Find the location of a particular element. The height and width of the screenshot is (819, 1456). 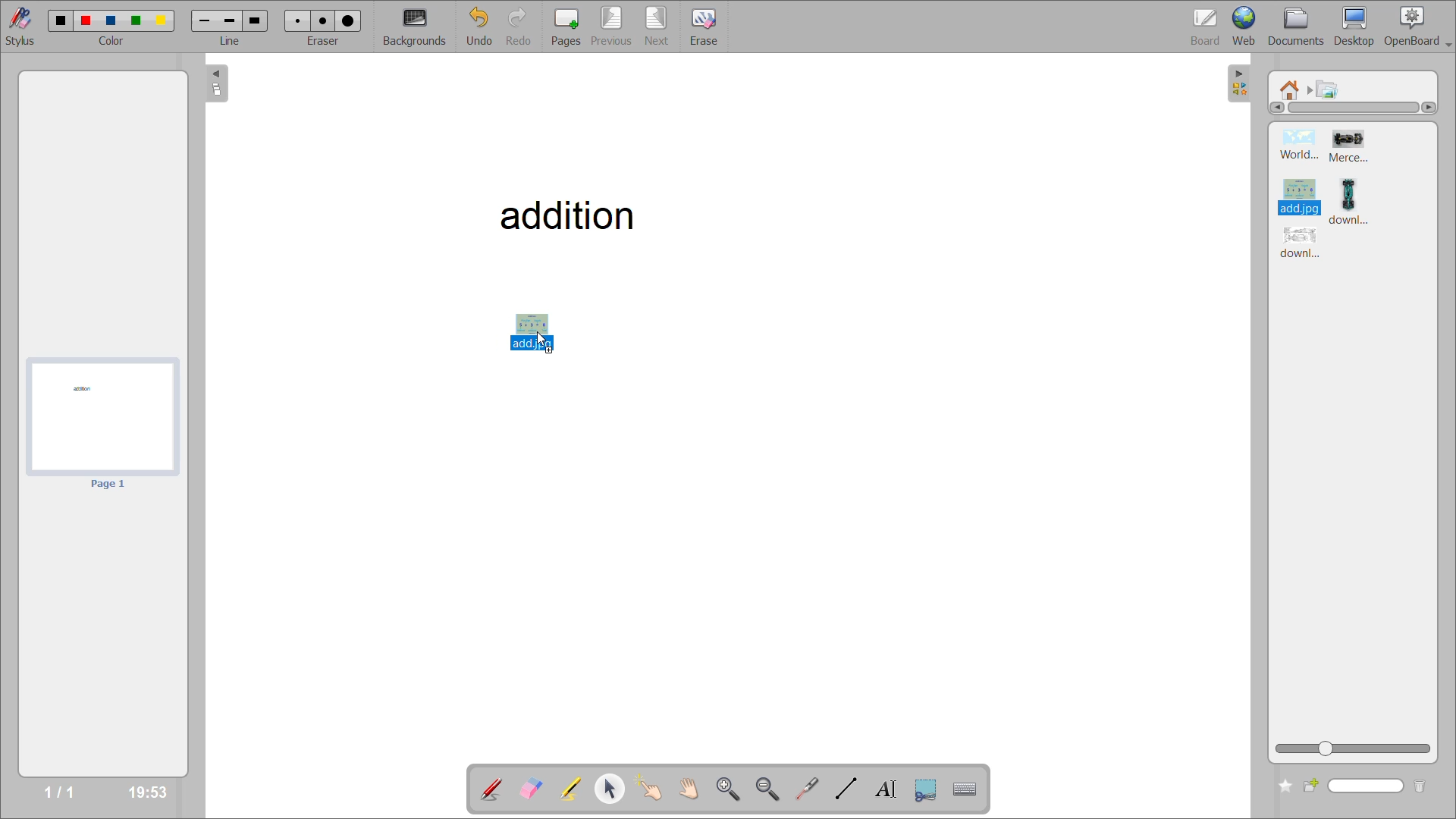

interact with items is located at coordinates (654, 789).